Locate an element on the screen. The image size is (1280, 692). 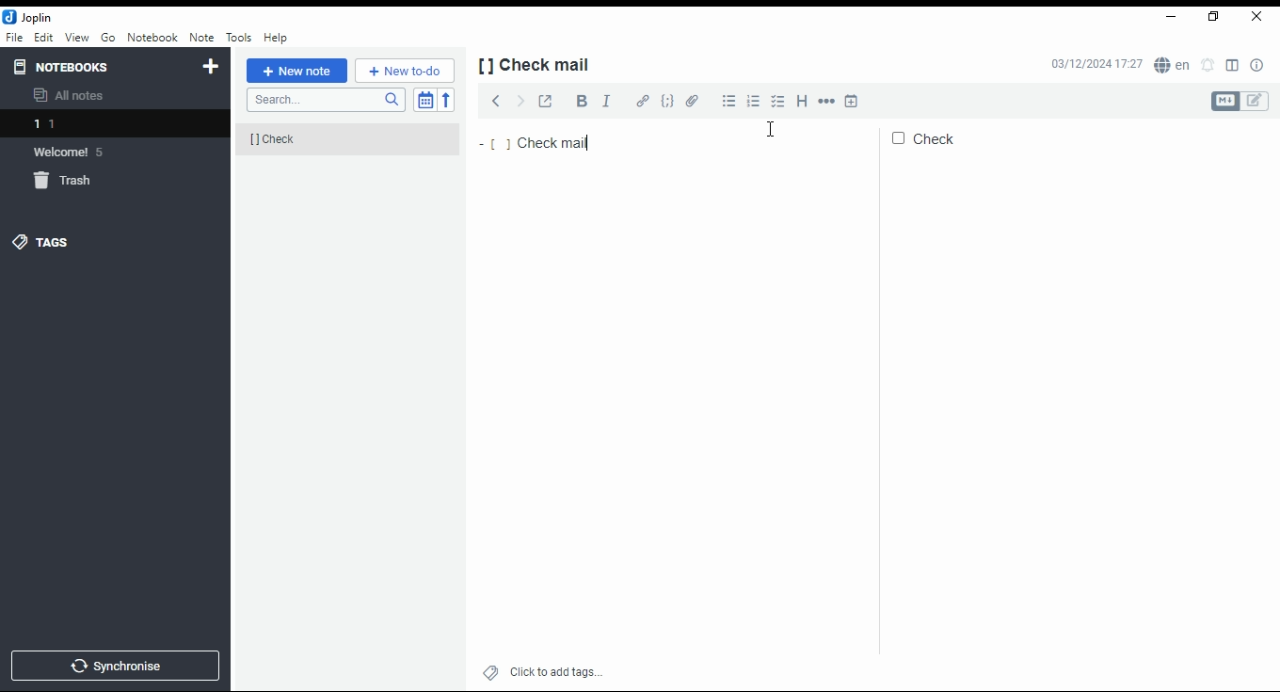
file is located at coordinates (14, 38).